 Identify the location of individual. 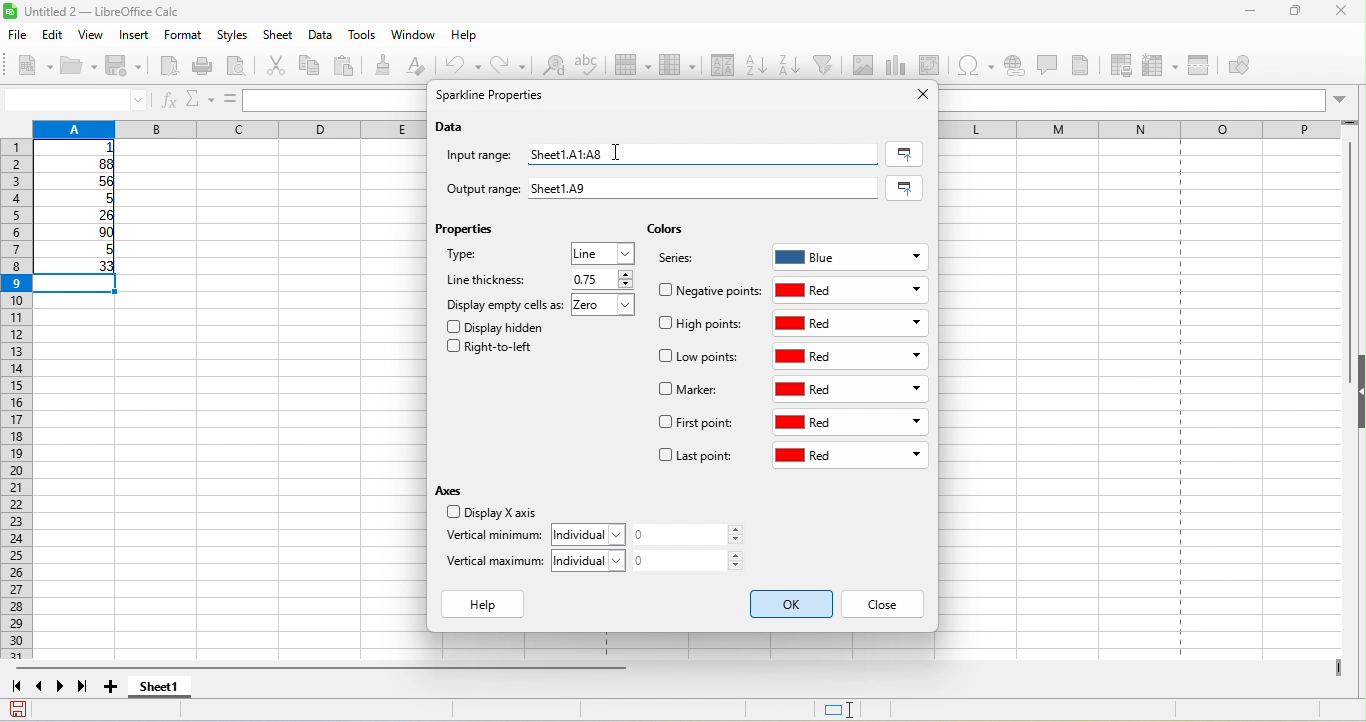
(593, 533).